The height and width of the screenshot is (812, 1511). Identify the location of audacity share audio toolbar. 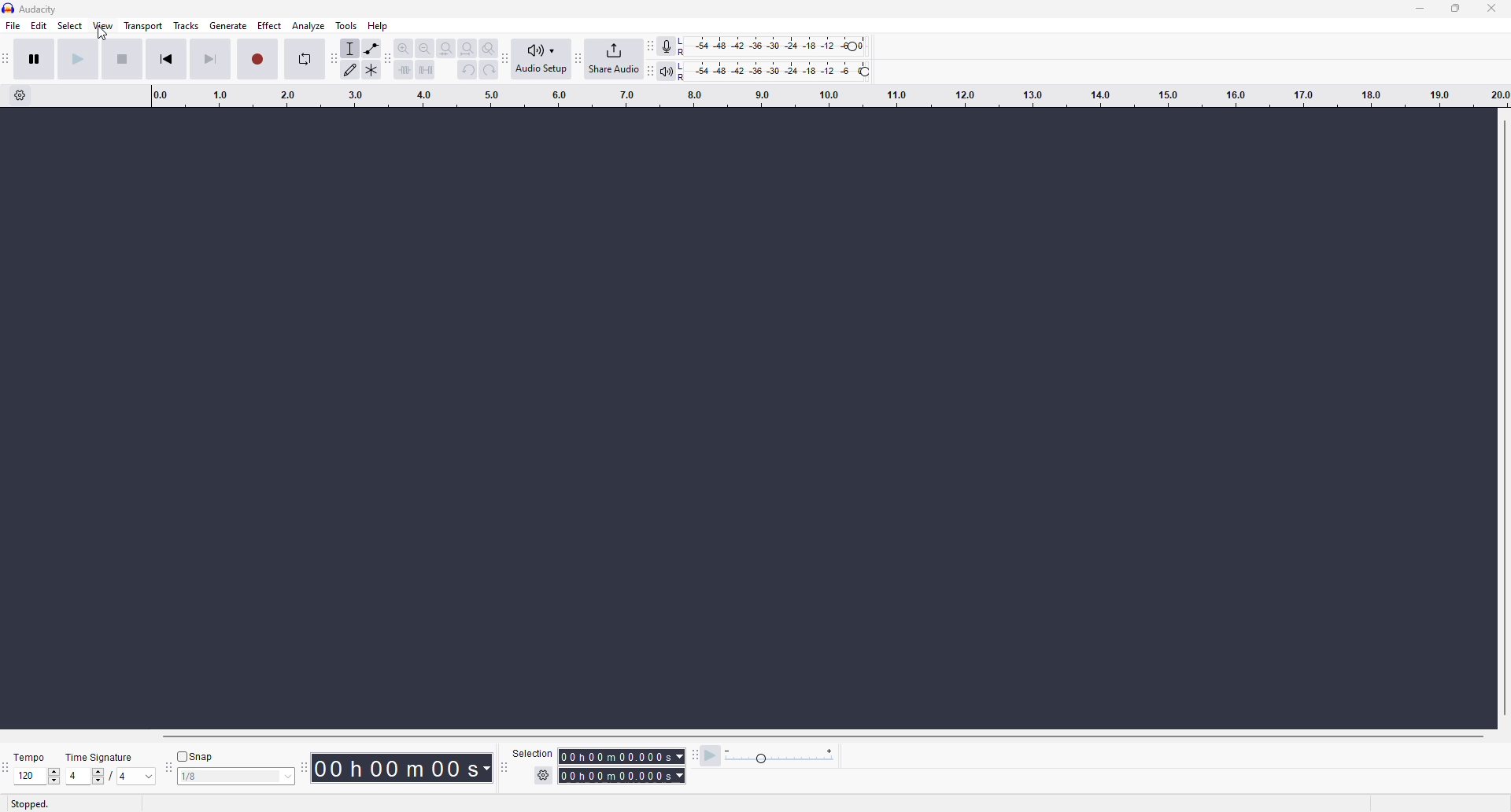
(578, 60).